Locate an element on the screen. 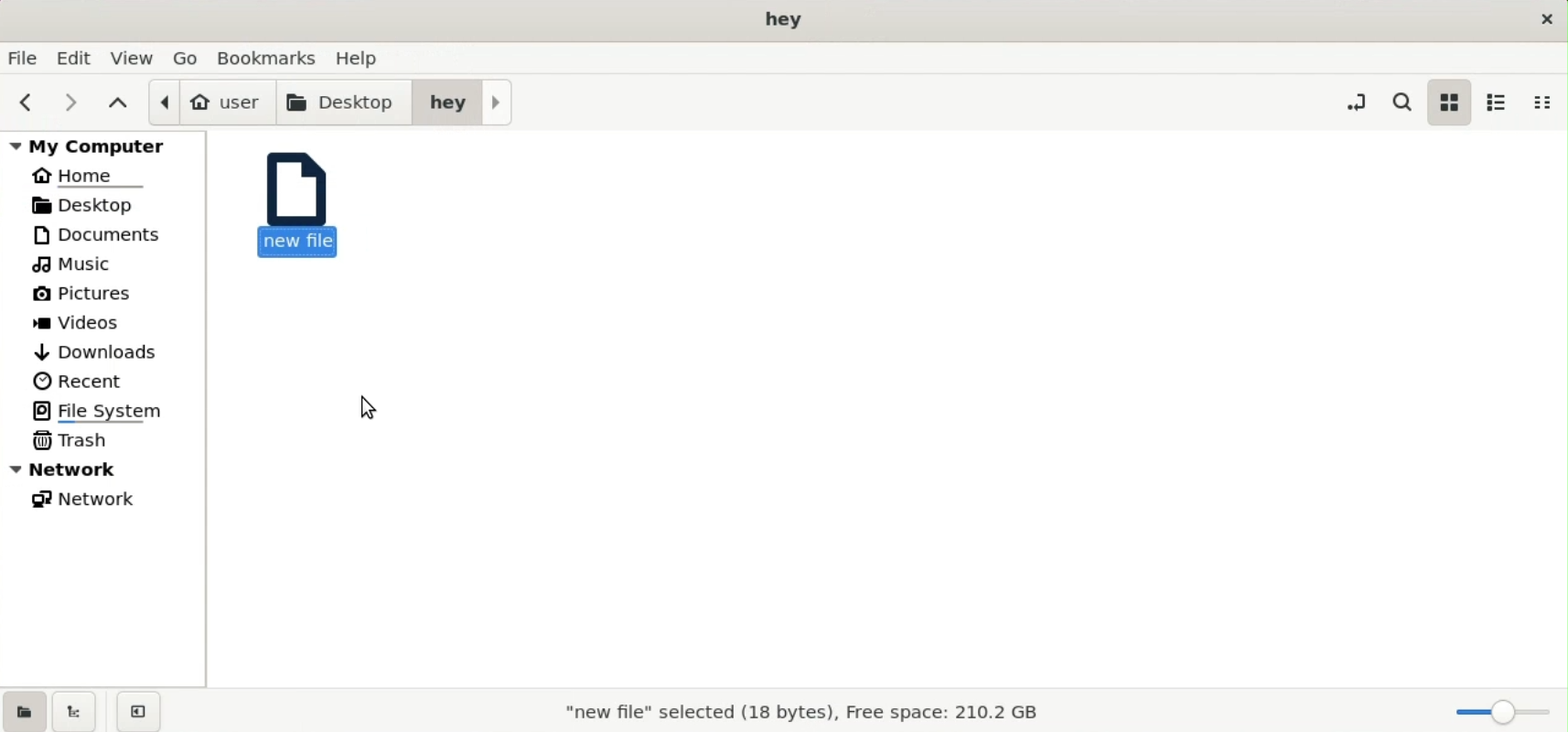 Image resolution: width=1568 pixels, height=732 pixels. title is located at coordinates (786, 20).